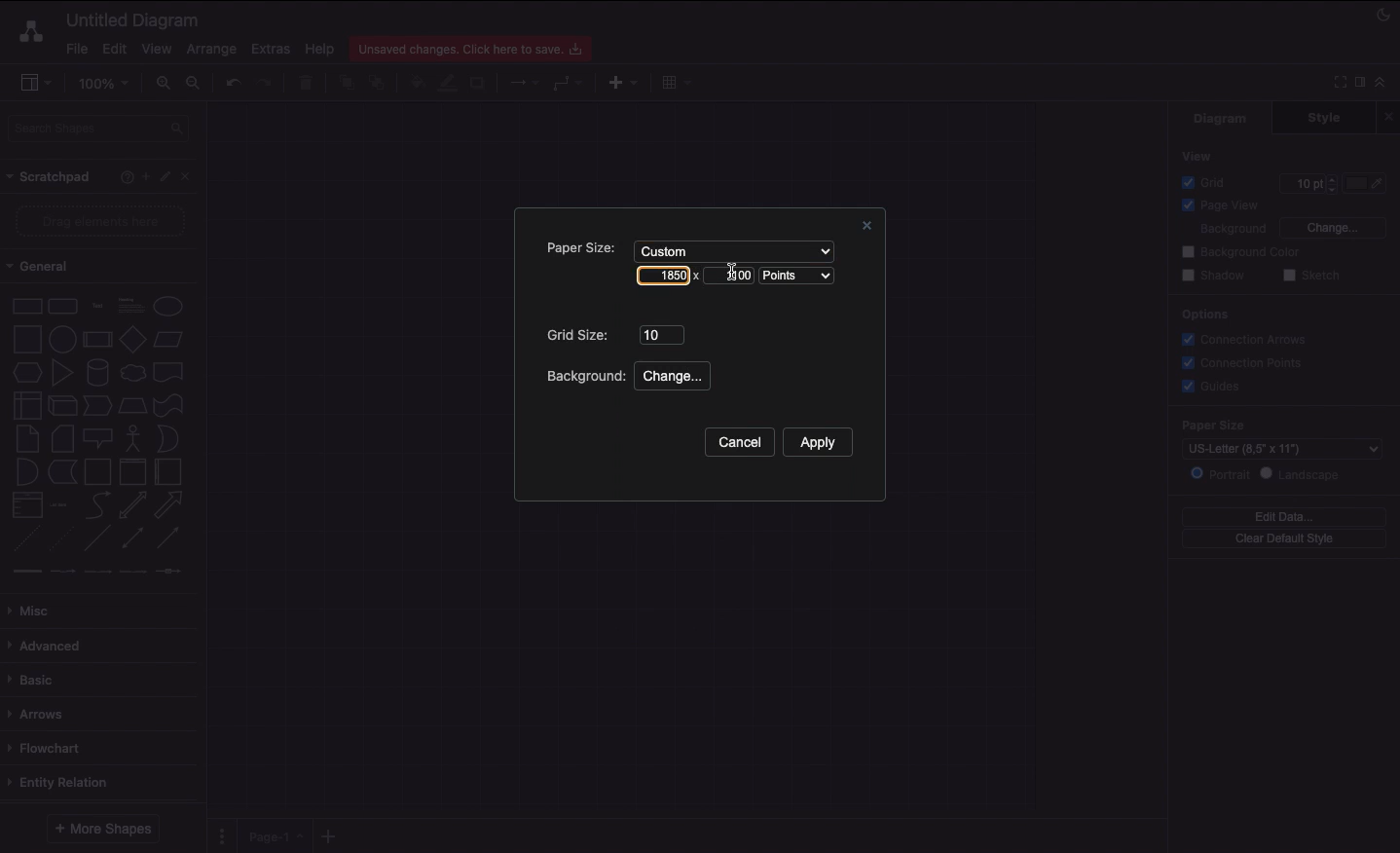 The height and width of the screenshot is (853, 1400). I want to click on Change..., so click(676, 377).